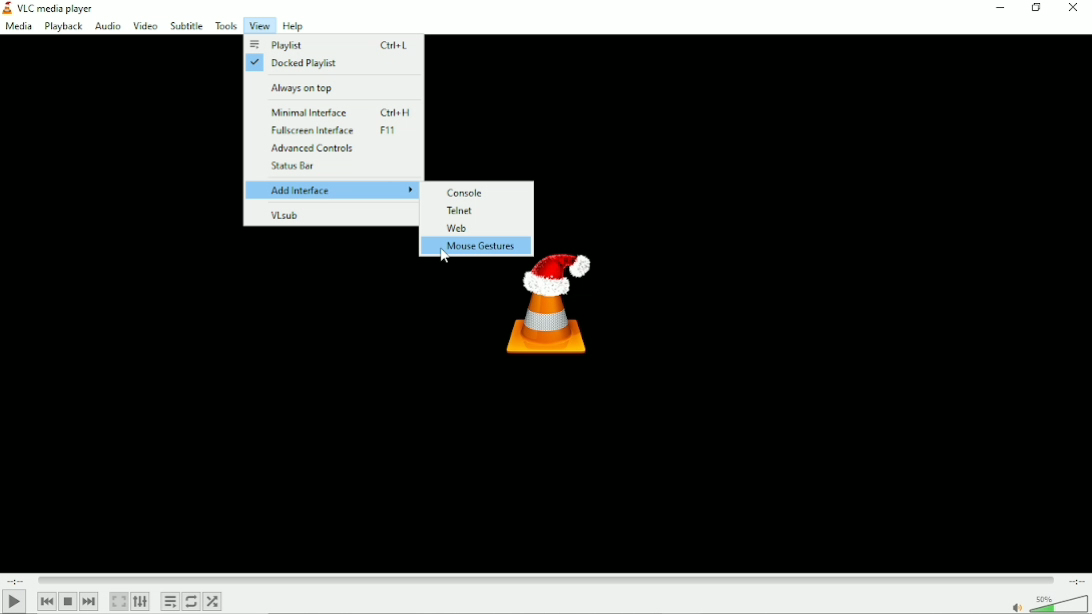 This screenshot has width=1092, height=614. I want to click on Help, so click(292, 26).